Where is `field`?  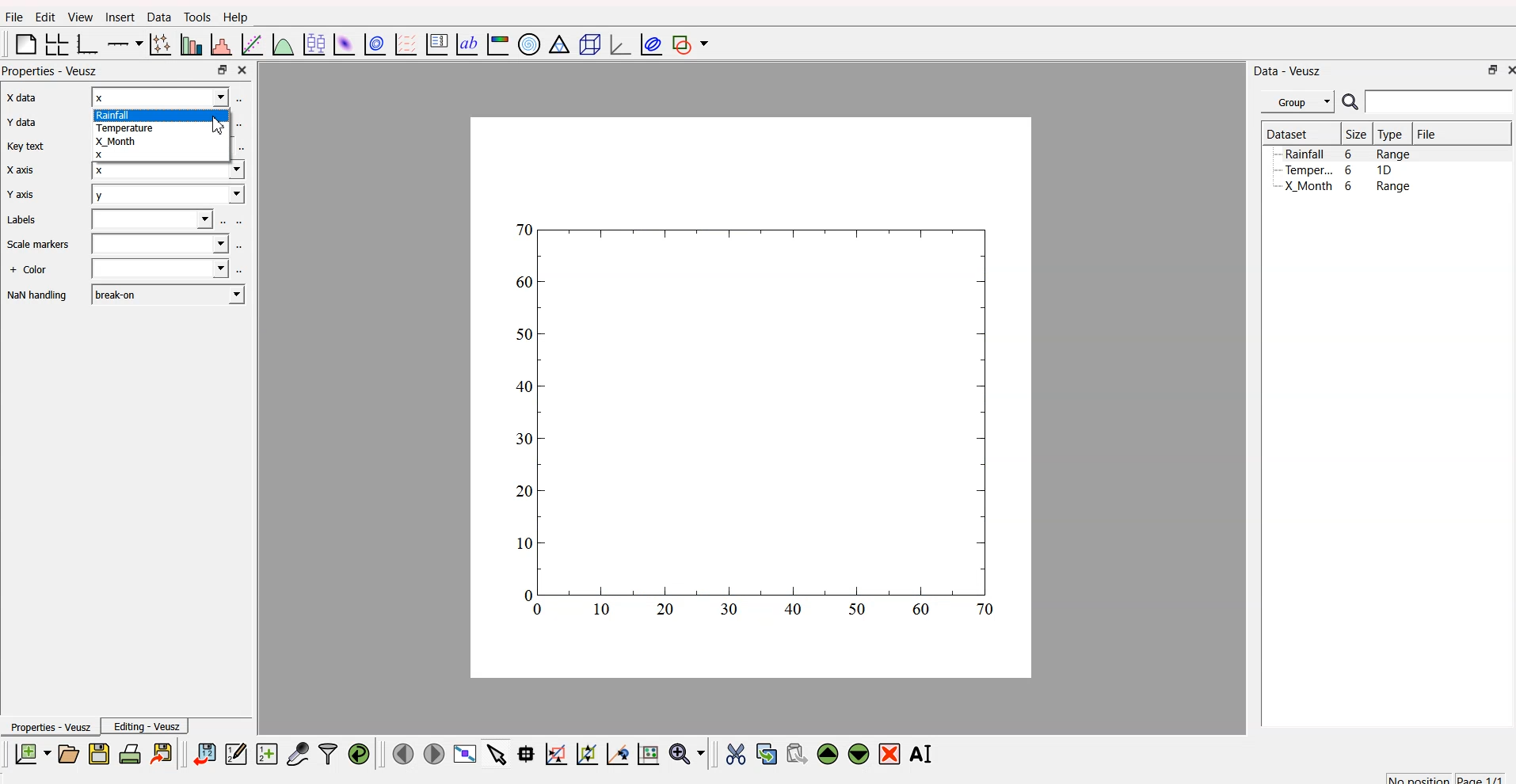
field is located at coordinates (154, 220).